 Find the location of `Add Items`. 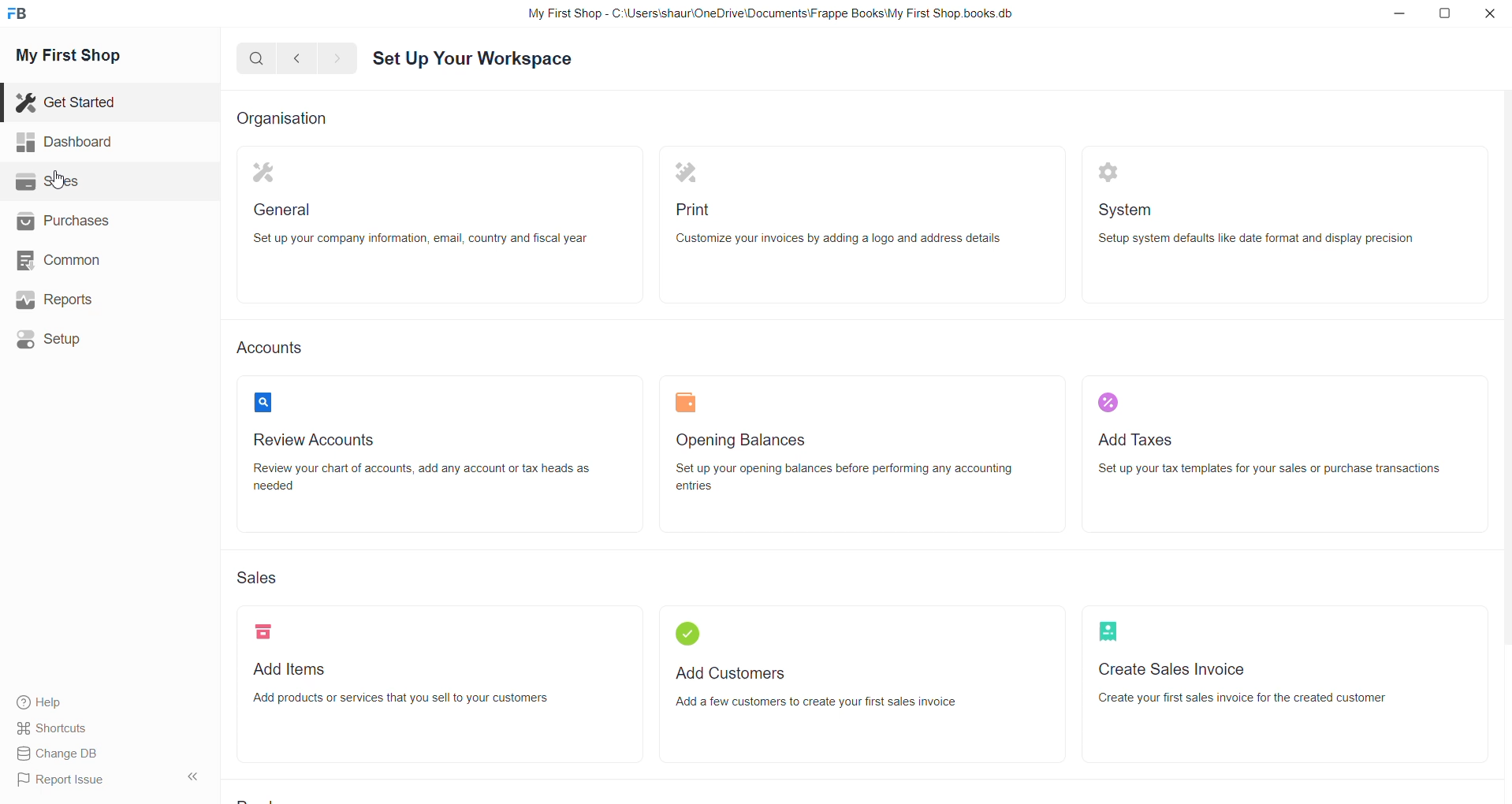

Add Items is located at coordinates (432, 687).